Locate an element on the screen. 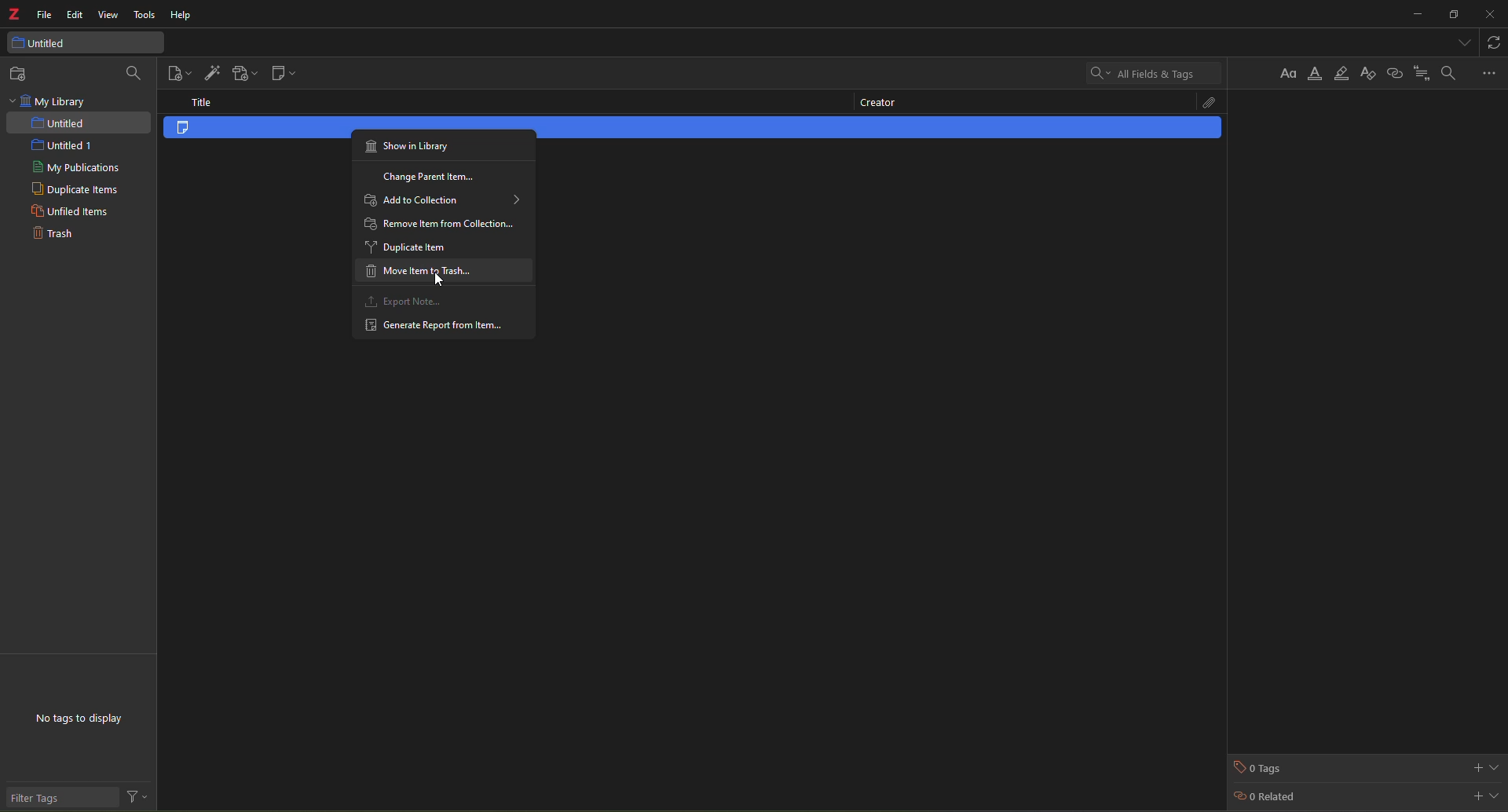 The image size is (1508, 812). maximize is located at coordinates (1451, 15).